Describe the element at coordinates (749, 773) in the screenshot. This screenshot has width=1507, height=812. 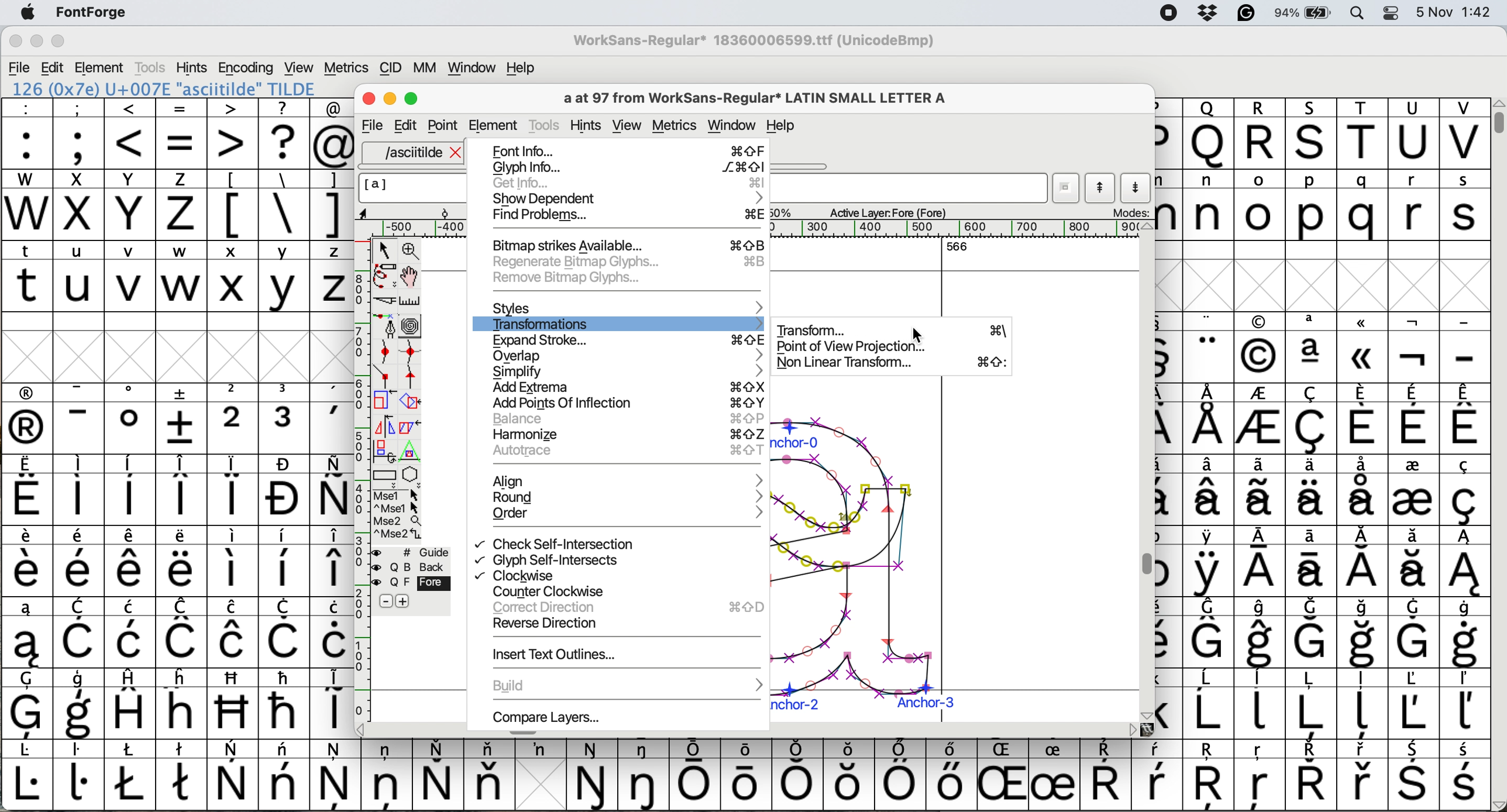
I see `symbol` at that location.